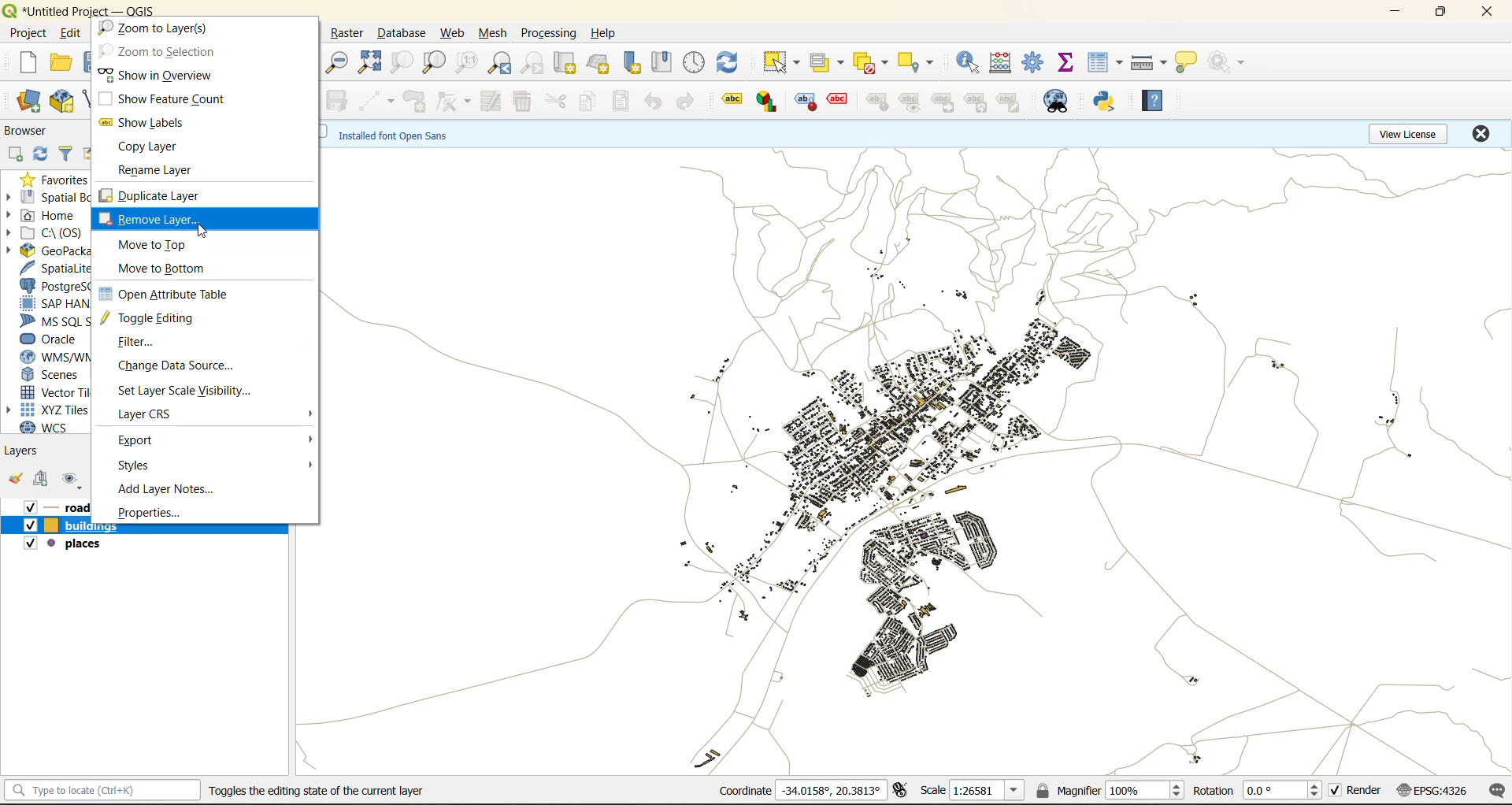 This screenshot has width=1512, height=805. Describe the element at coordinates (391, 135) in the screenshot. I see `metadata` at that location.